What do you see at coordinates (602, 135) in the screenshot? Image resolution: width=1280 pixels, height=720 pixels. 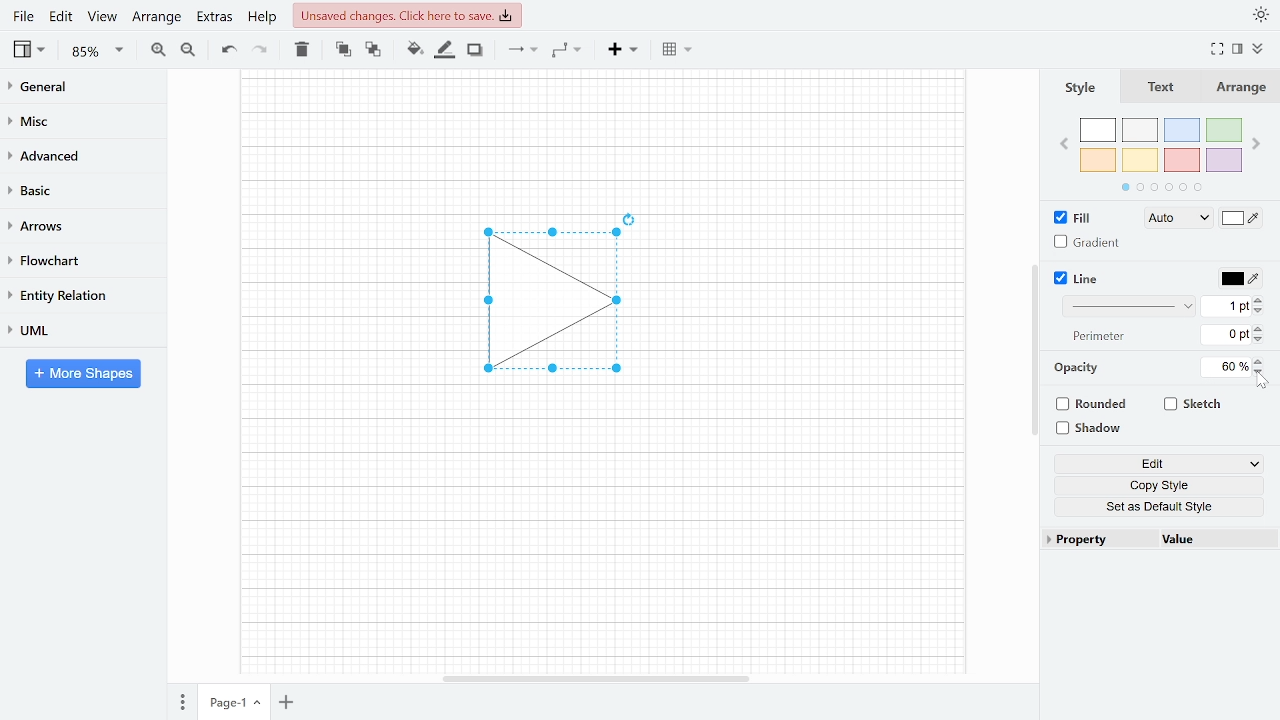 I see `workspace` at bounding box center [602, 135].